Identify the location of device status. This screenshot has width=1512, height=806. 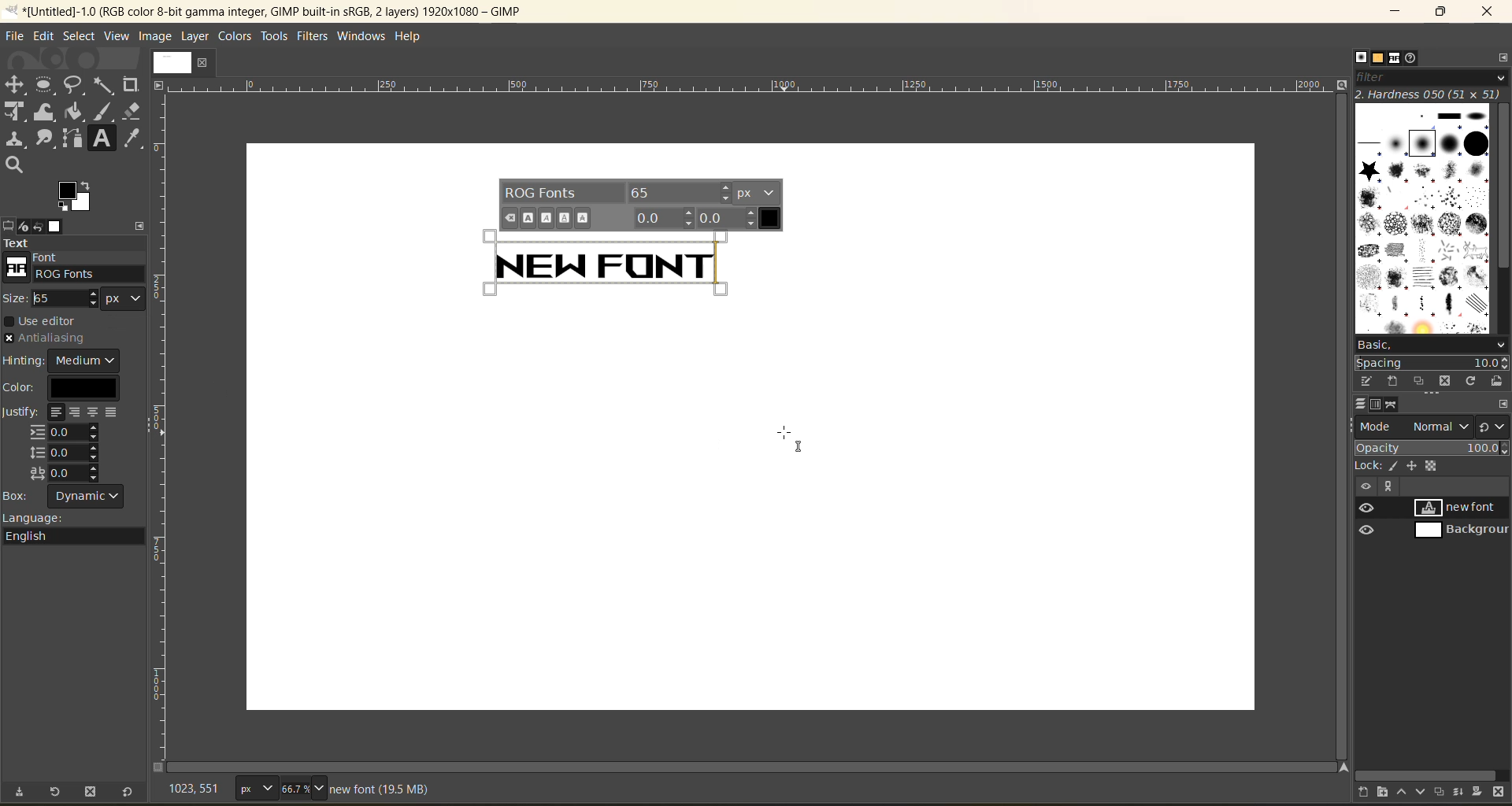
(26, 226).